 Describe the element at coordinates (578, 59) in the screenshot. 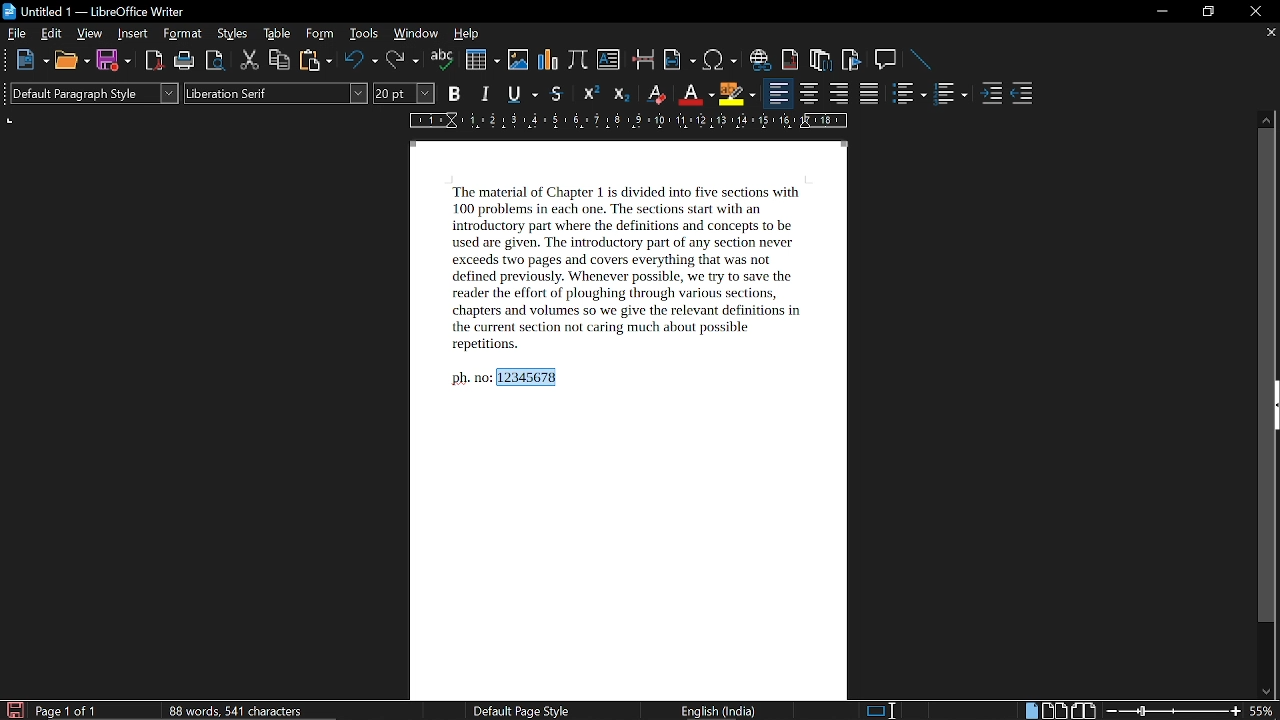

I see `insert formula` at that location.